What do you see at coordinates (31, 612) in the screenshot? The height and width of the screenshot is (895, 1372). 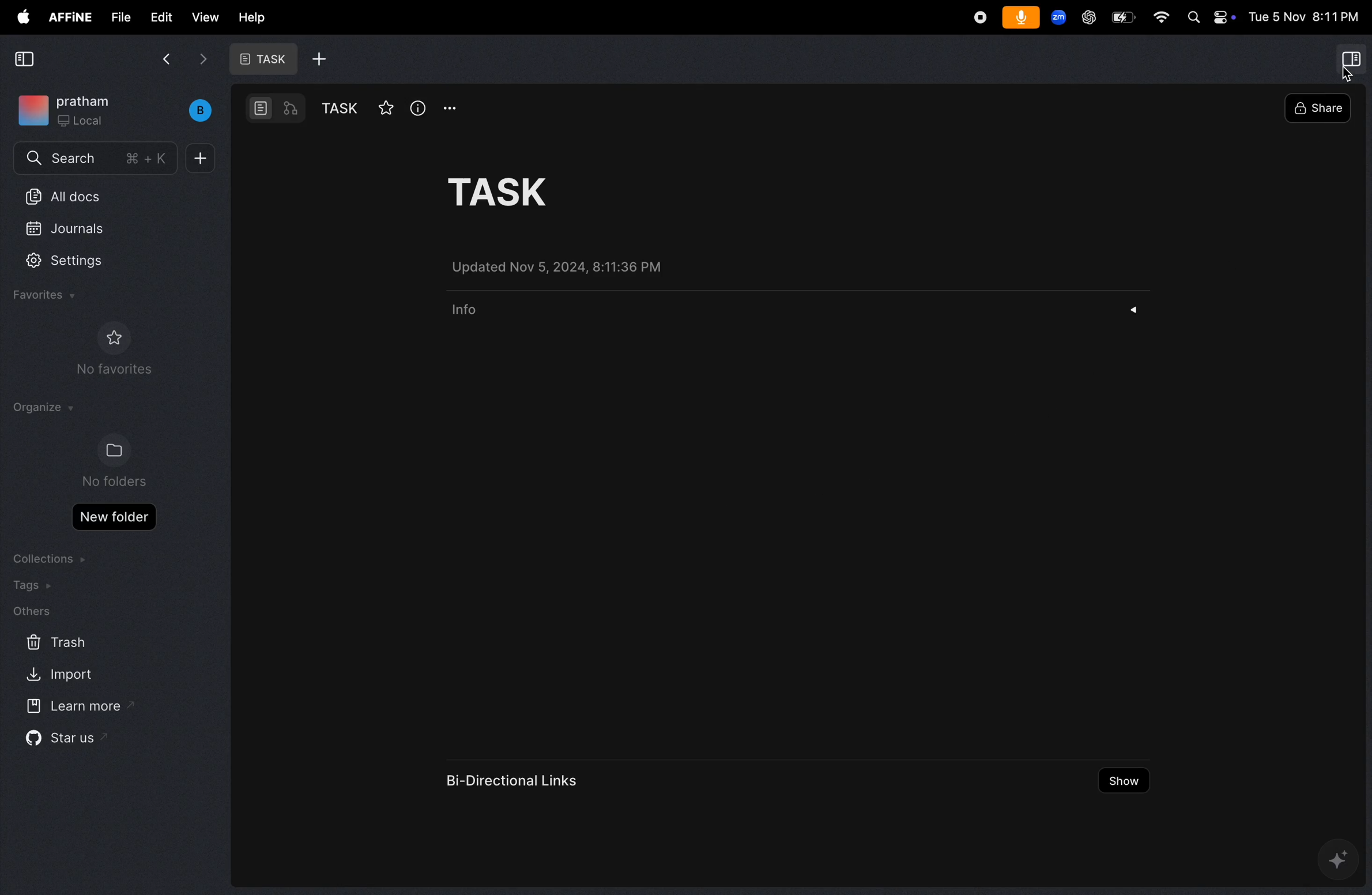 I see `others` at bounding box center [31, 612].